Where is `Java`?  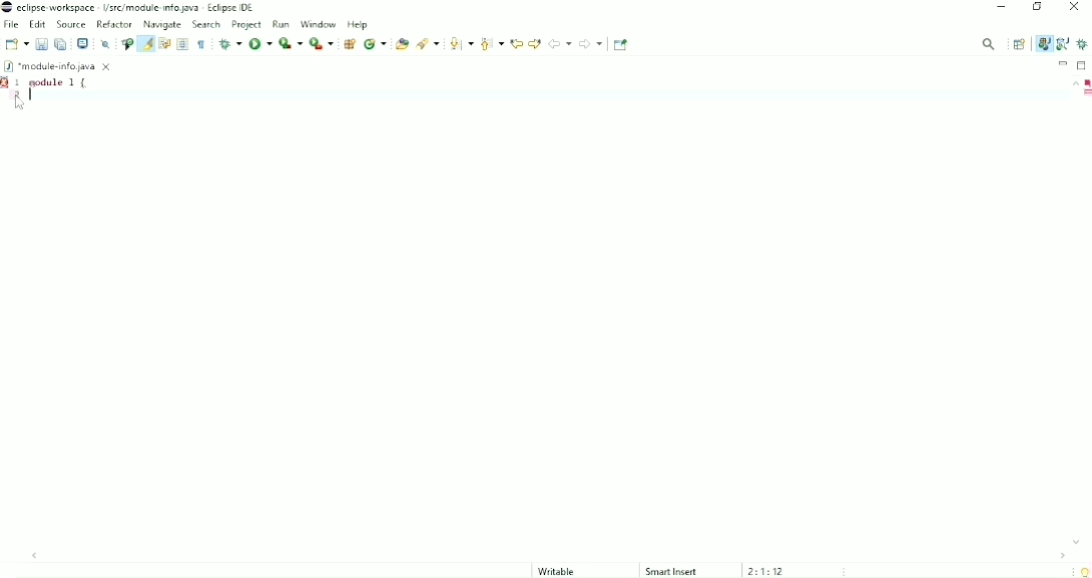
Java is located at coordinates (1043, 43).